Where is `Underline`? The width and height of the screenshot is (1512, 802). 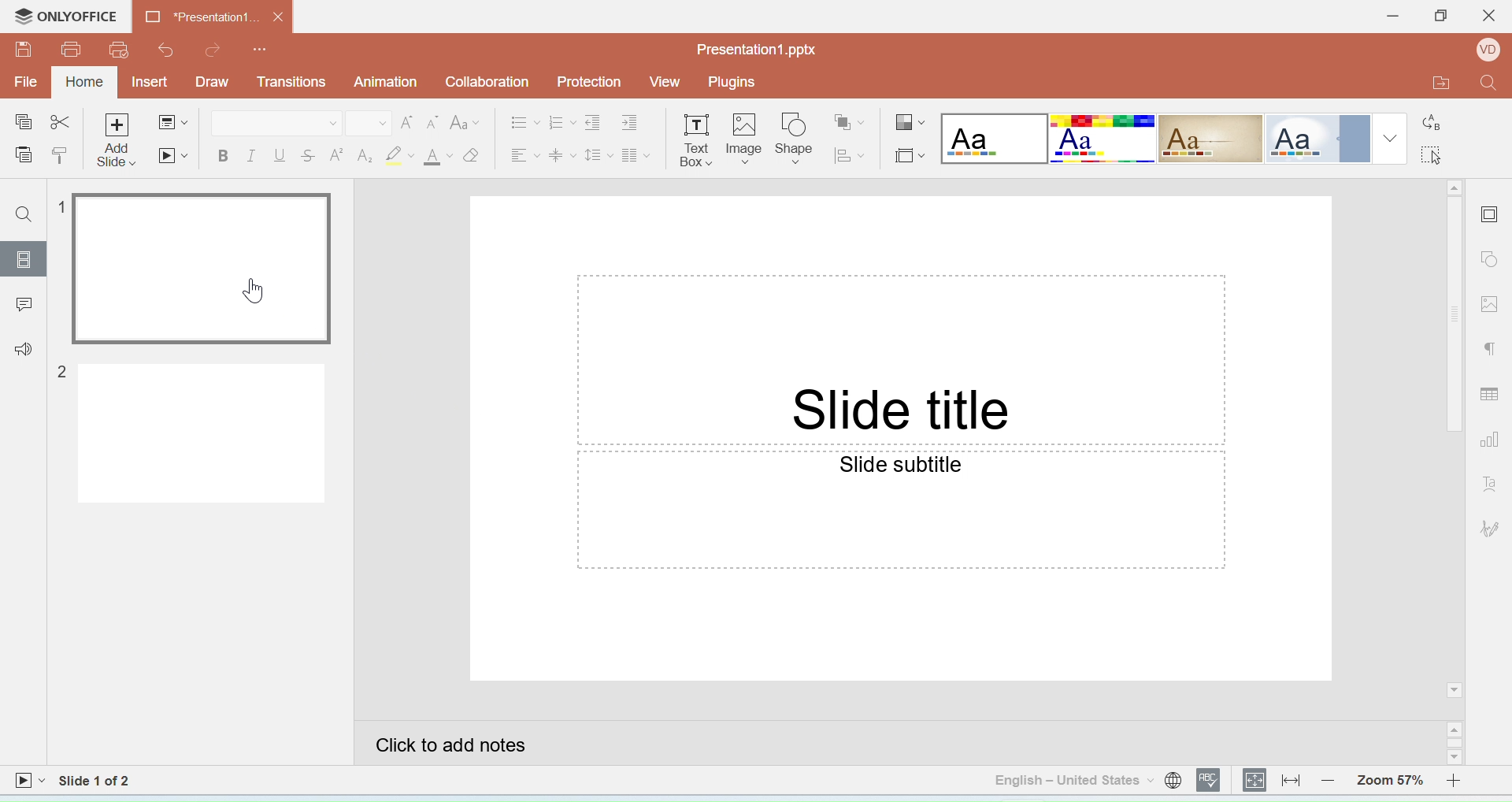
Underline is located at coordinates (280, 156).